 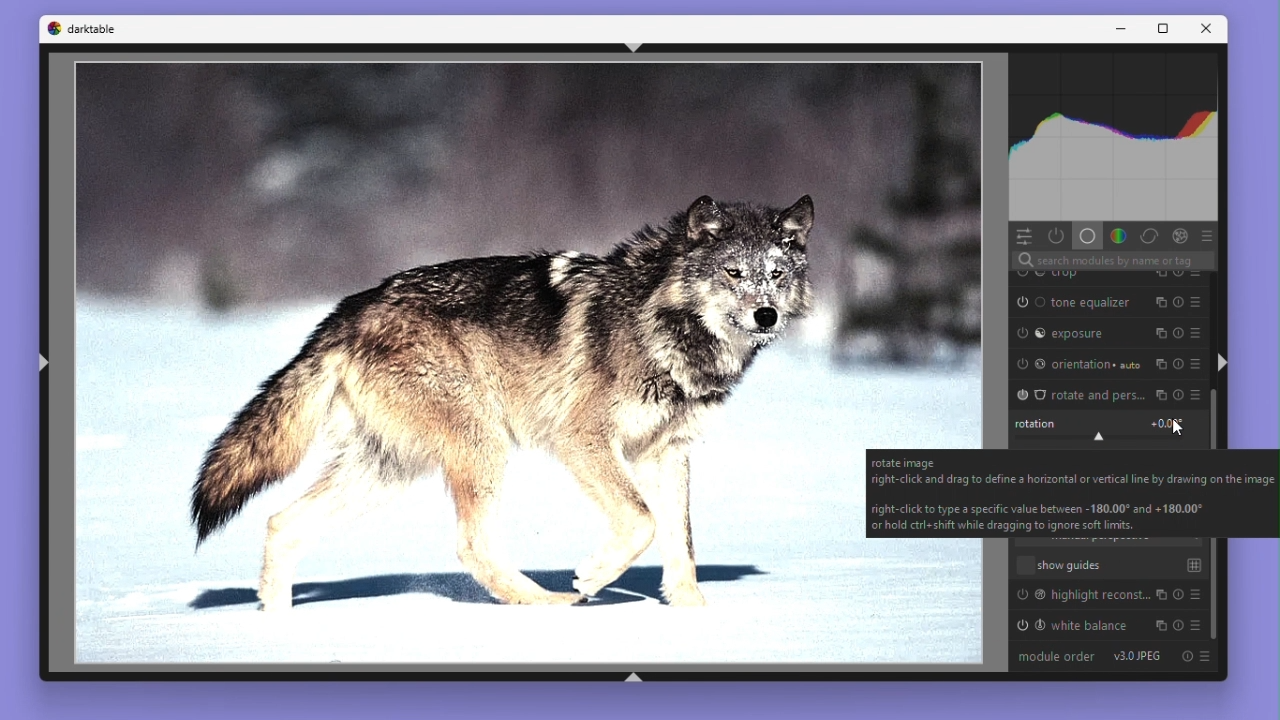 What do you see at coordinates (1106, 261) in the screenshot?
I see `Search bar` at bounding box center [1106, 261].